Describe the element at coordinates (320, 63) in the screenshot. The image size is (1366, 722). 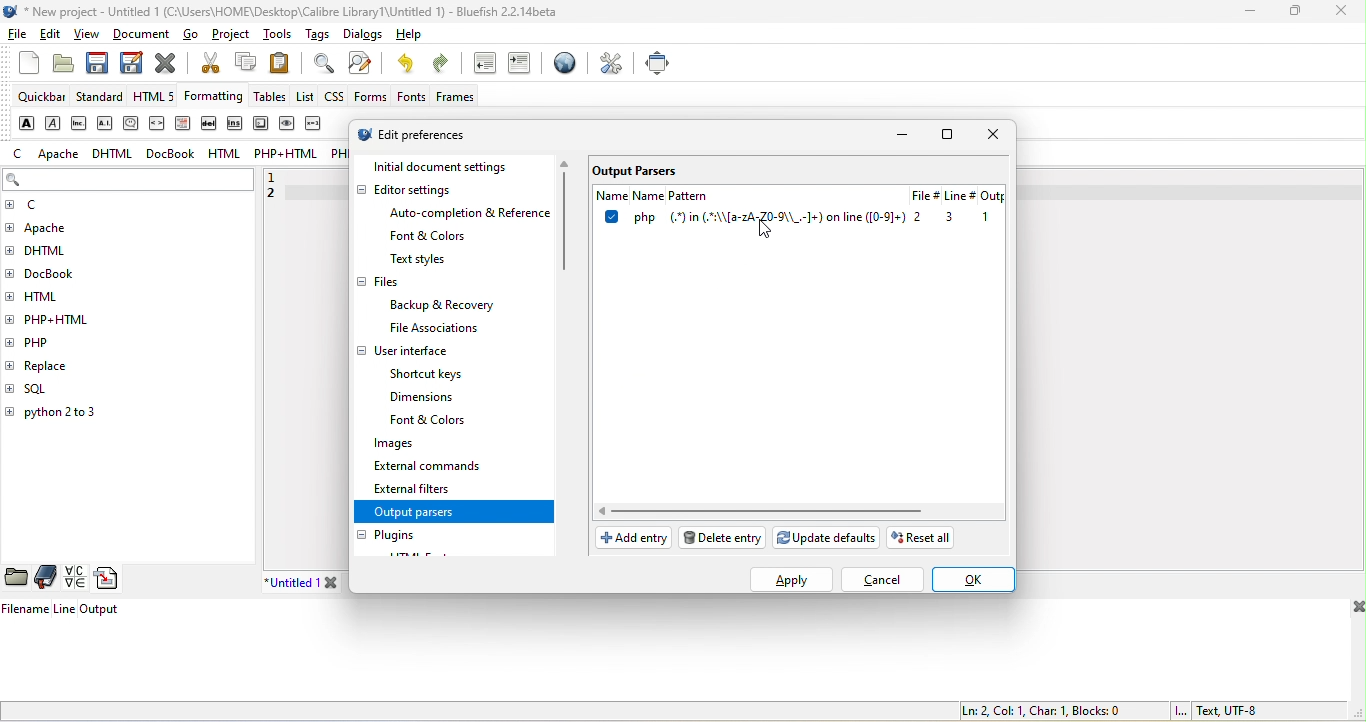
I see `find` at that location.